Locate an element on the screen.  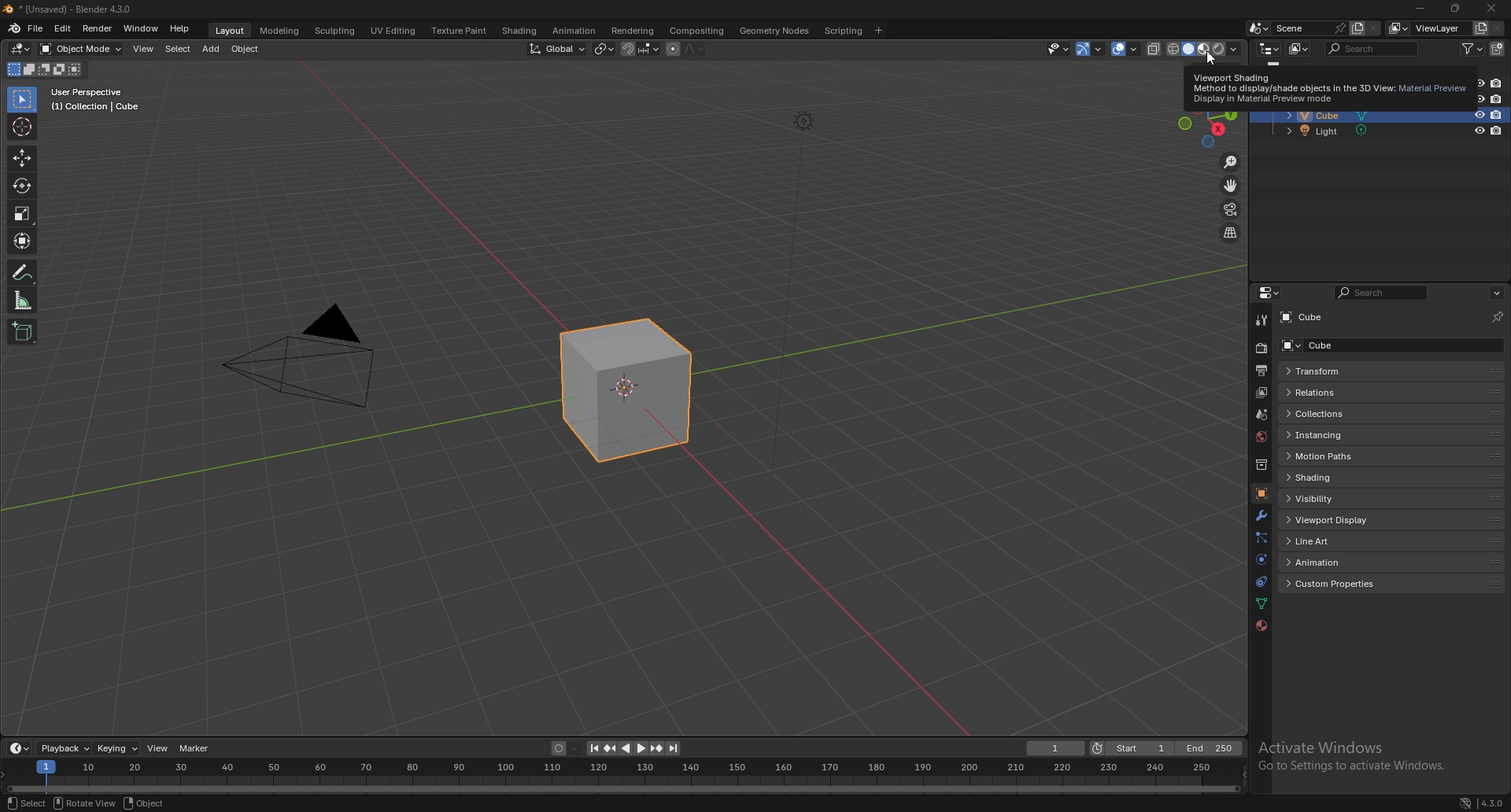
view layer is located at coordinates (1259, 393).